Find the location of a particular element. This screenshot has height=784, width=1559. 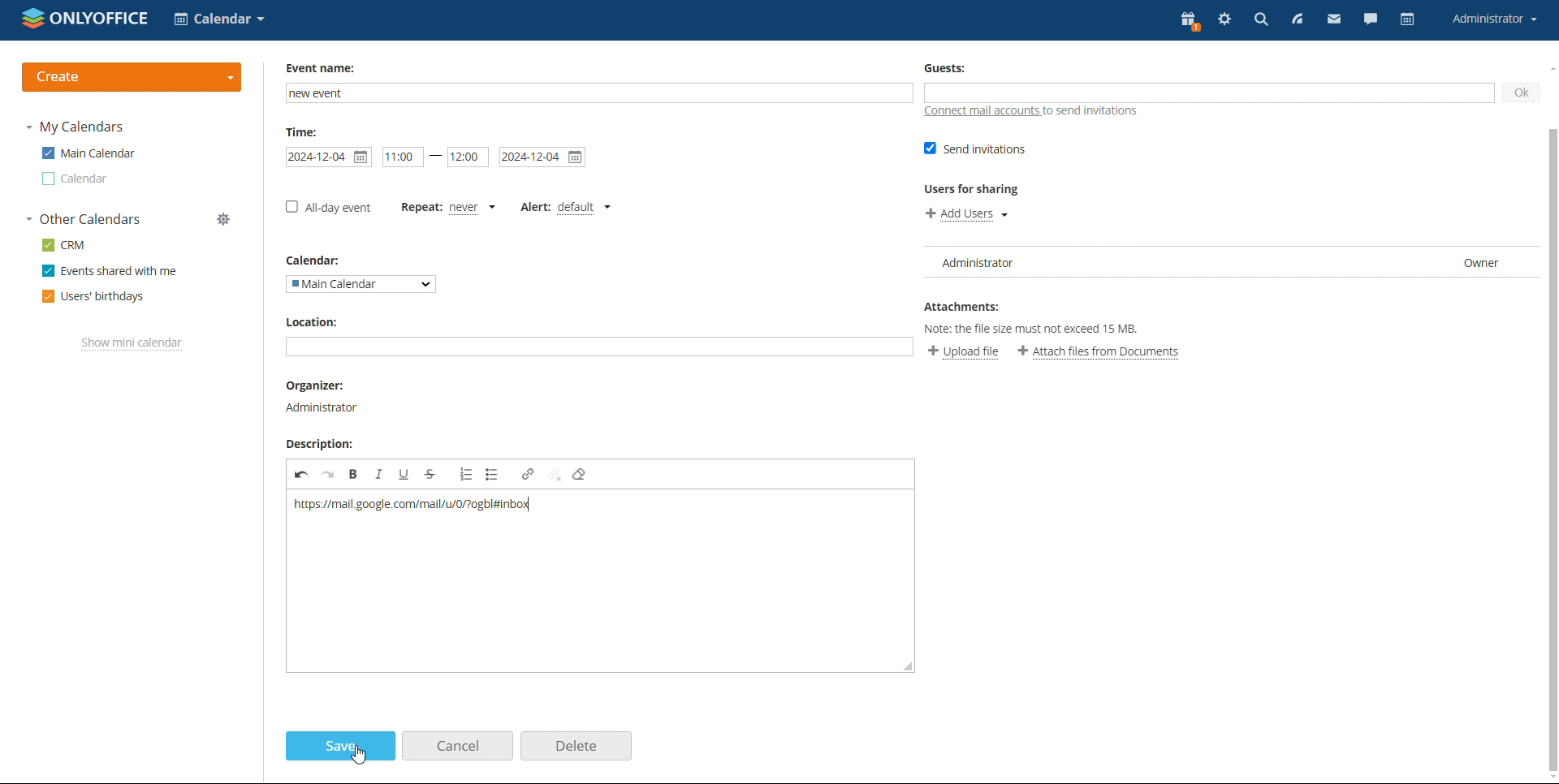

link is located at coordinates (529, 475).